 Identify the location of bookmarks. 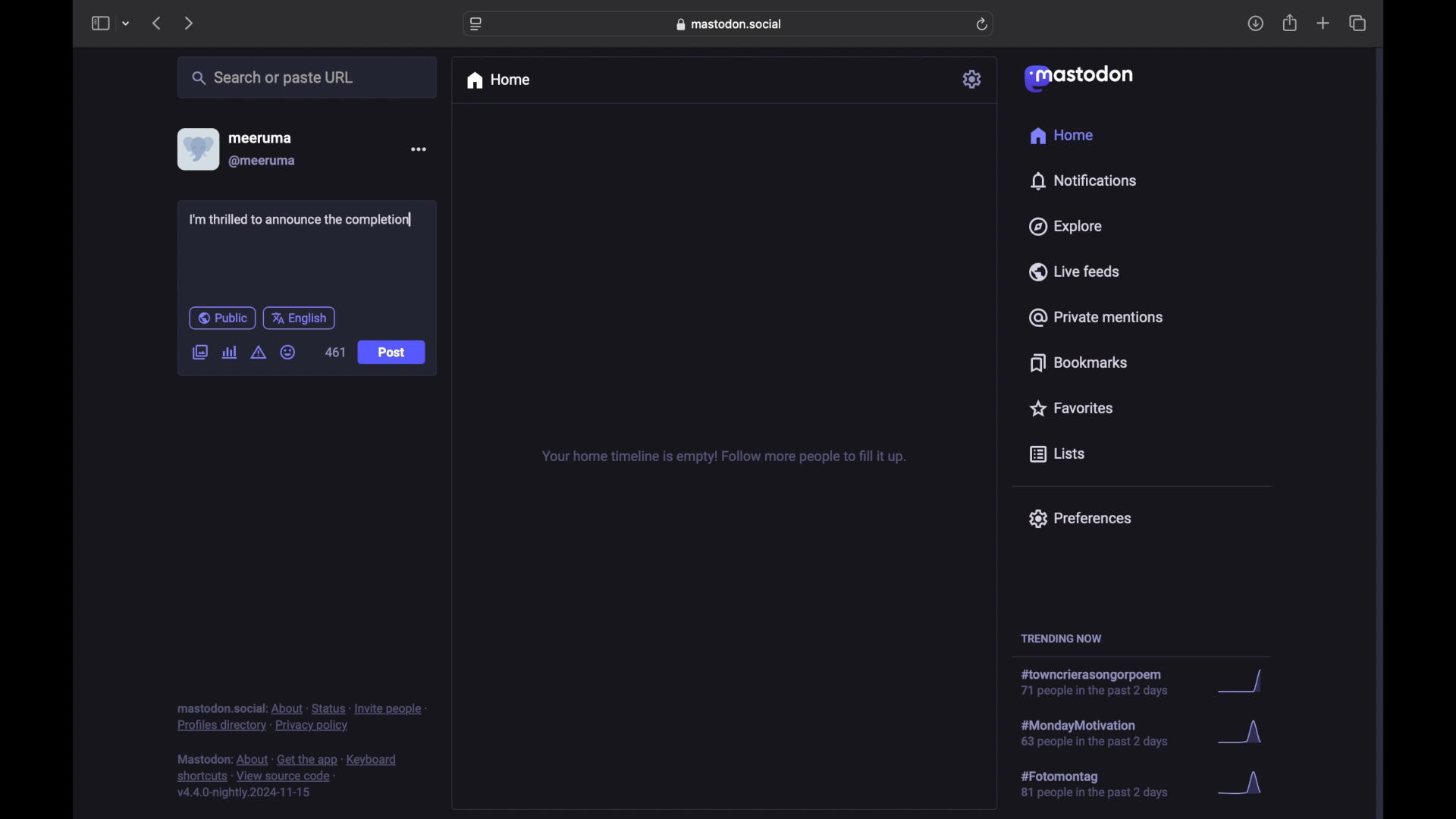
(1081, 362).